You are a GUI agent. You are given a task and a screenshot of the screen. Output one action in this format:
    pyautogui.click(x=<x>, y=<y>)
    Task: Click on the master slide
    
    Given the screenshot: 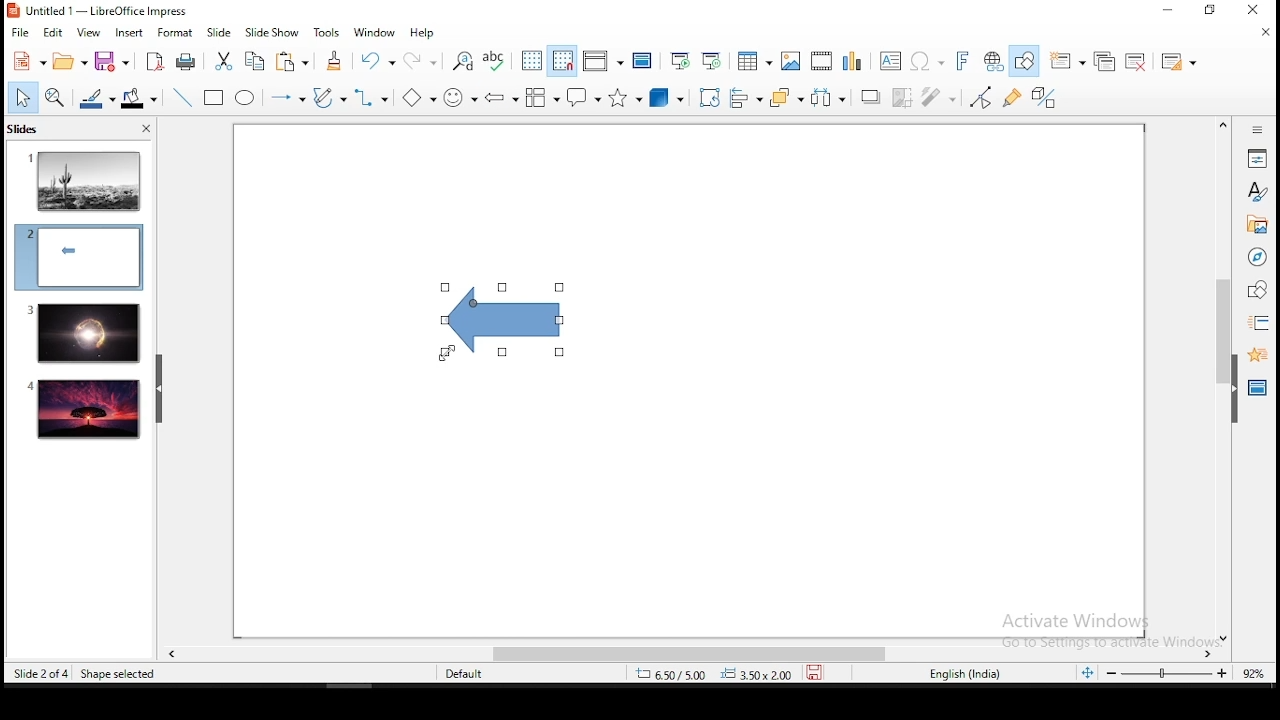 What is the action you would take?
    pyautogui.click(x=643, y=60)
    